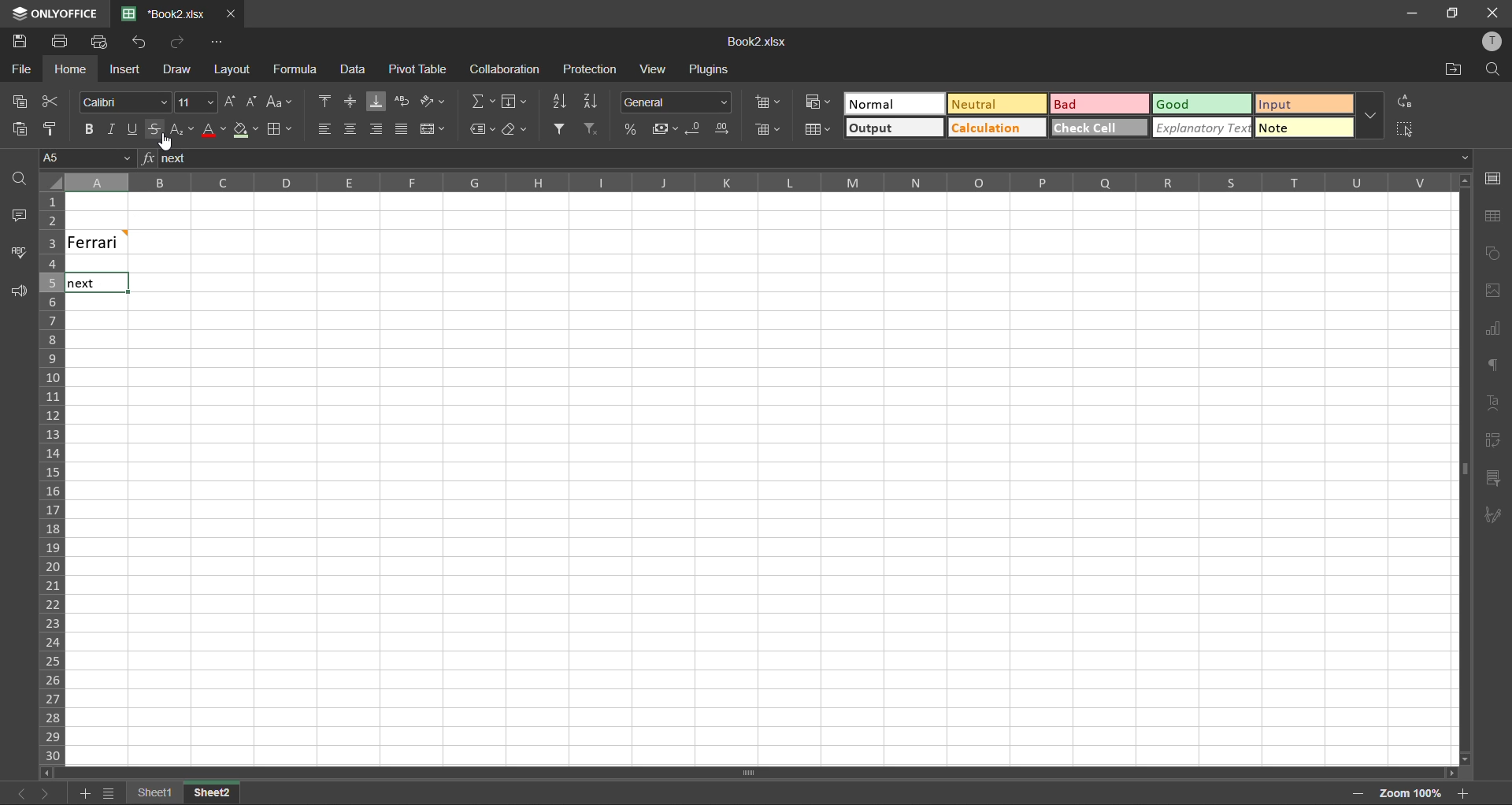 This screenshot has height=805, width=1512. What do you see at coordinates (435, 101) in the screenshot?
I see `orientation` at bounding box center [435, 101].